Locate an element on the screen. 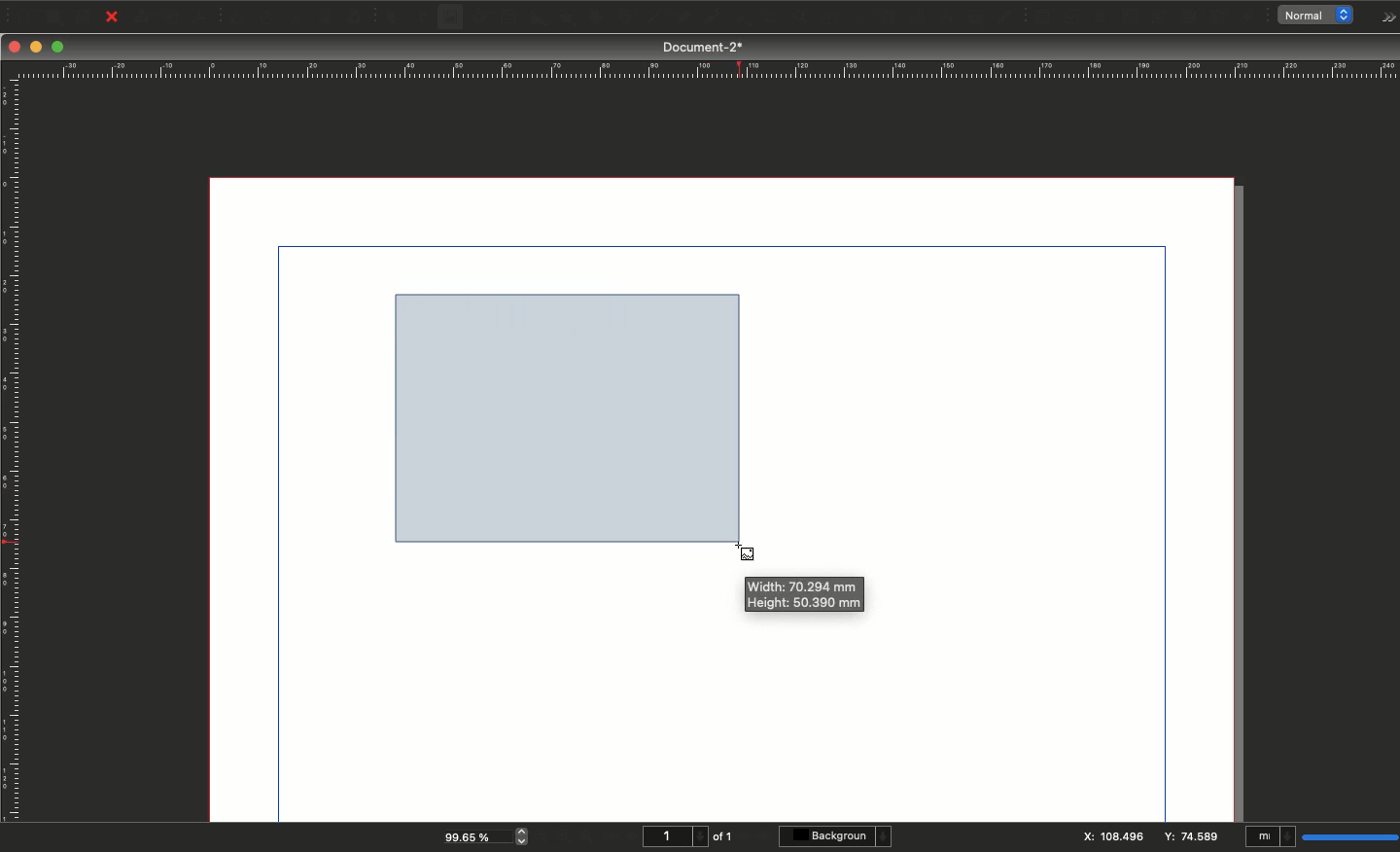 This screenshot has height=852, width=1400. PDF push button is located at coordinates (1040, 17).